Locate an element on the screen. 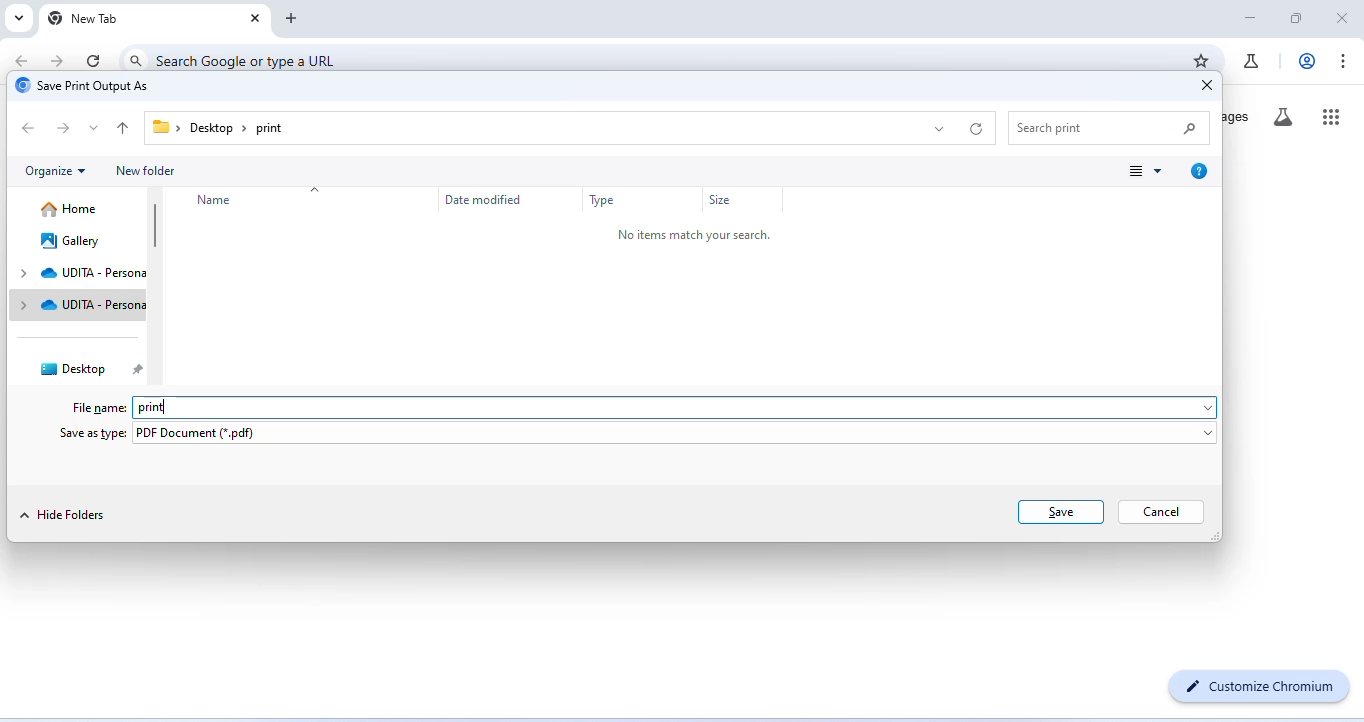  add book marks is located at coordinates (1200, 60).